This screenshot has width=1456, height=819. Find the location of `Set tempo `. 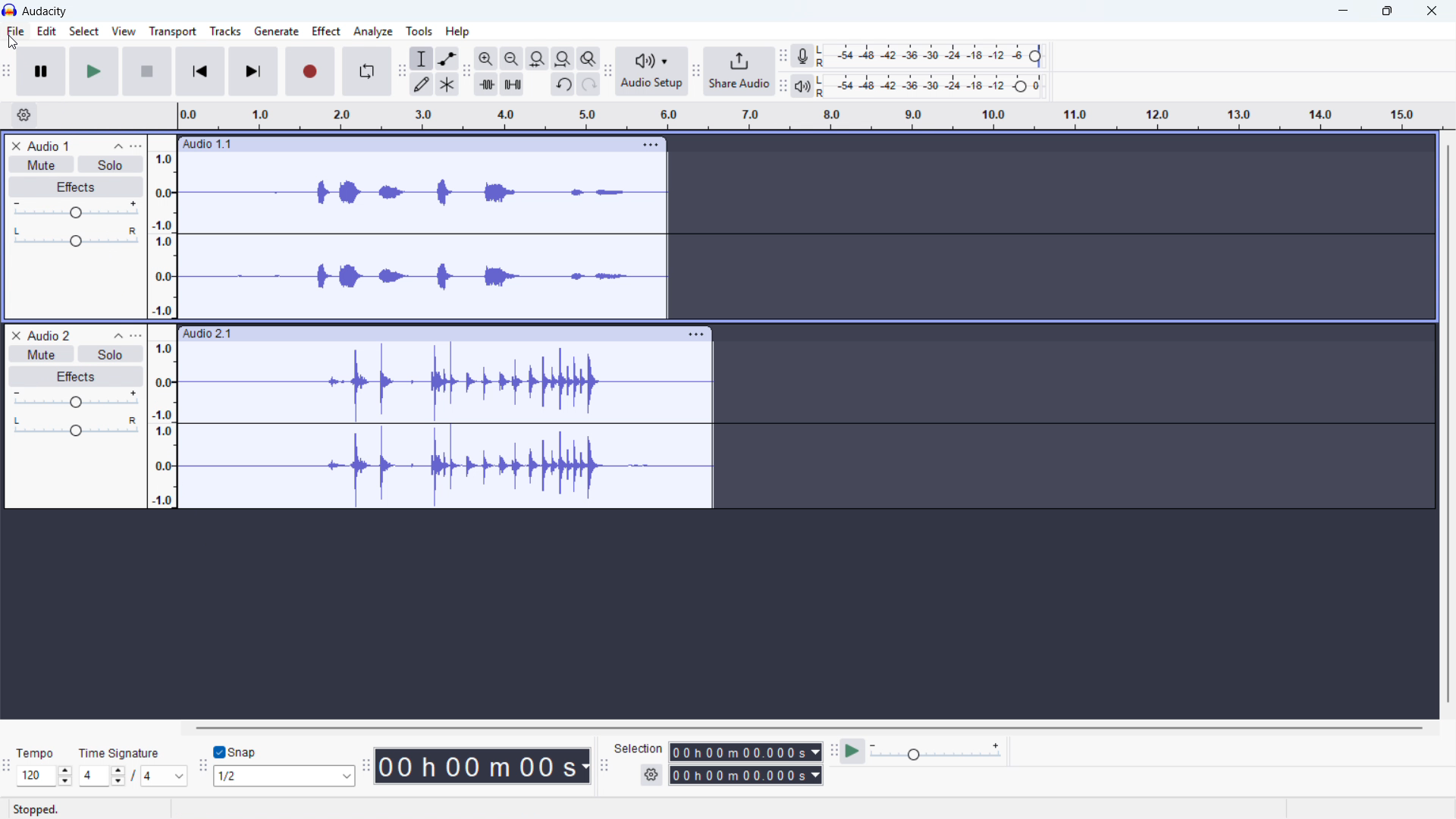

Set tempo  is located at coordinates (45, 776).